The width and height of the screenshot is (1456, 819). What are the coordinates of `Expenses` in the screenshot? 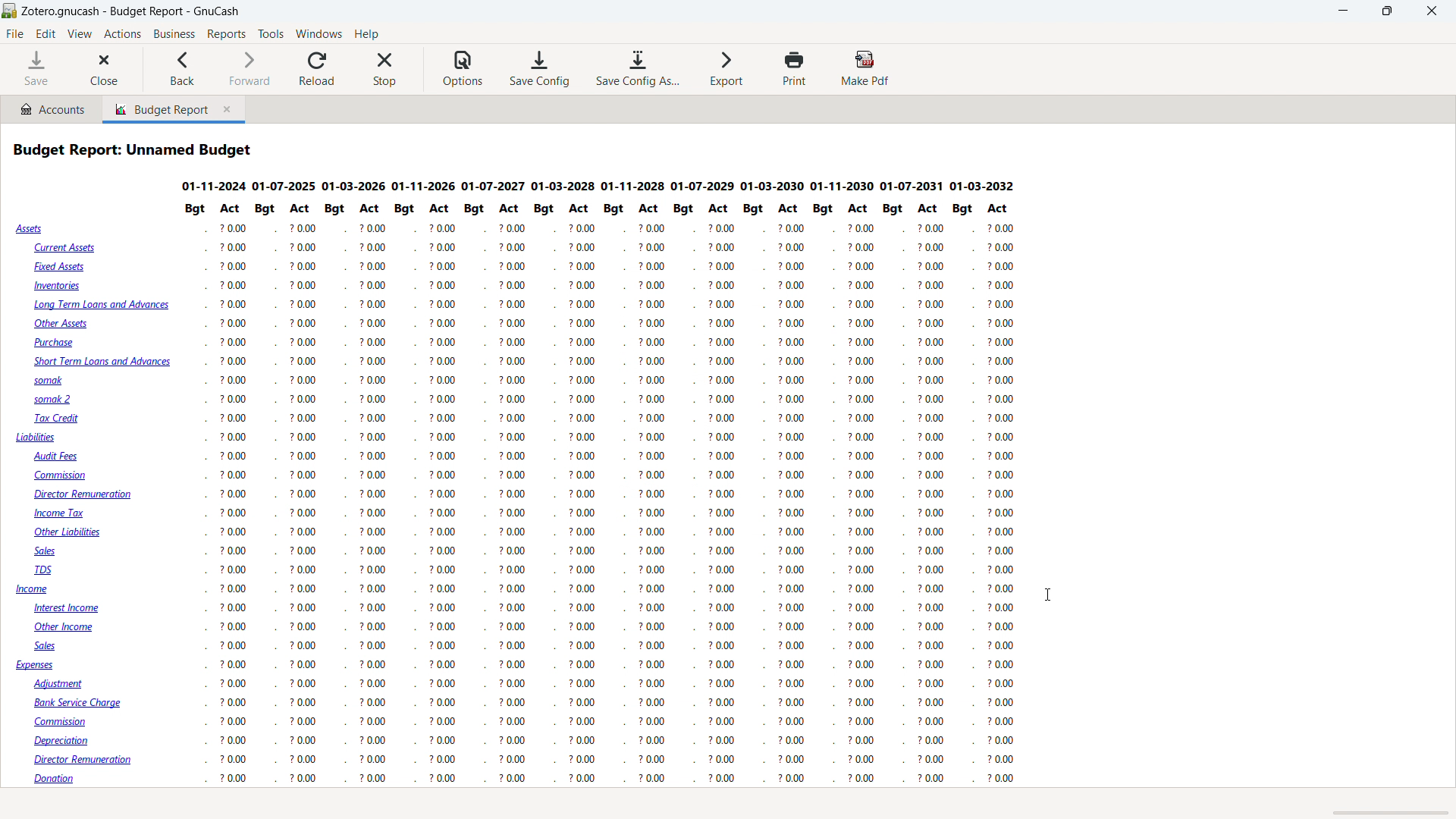 It's located at (36, 667).